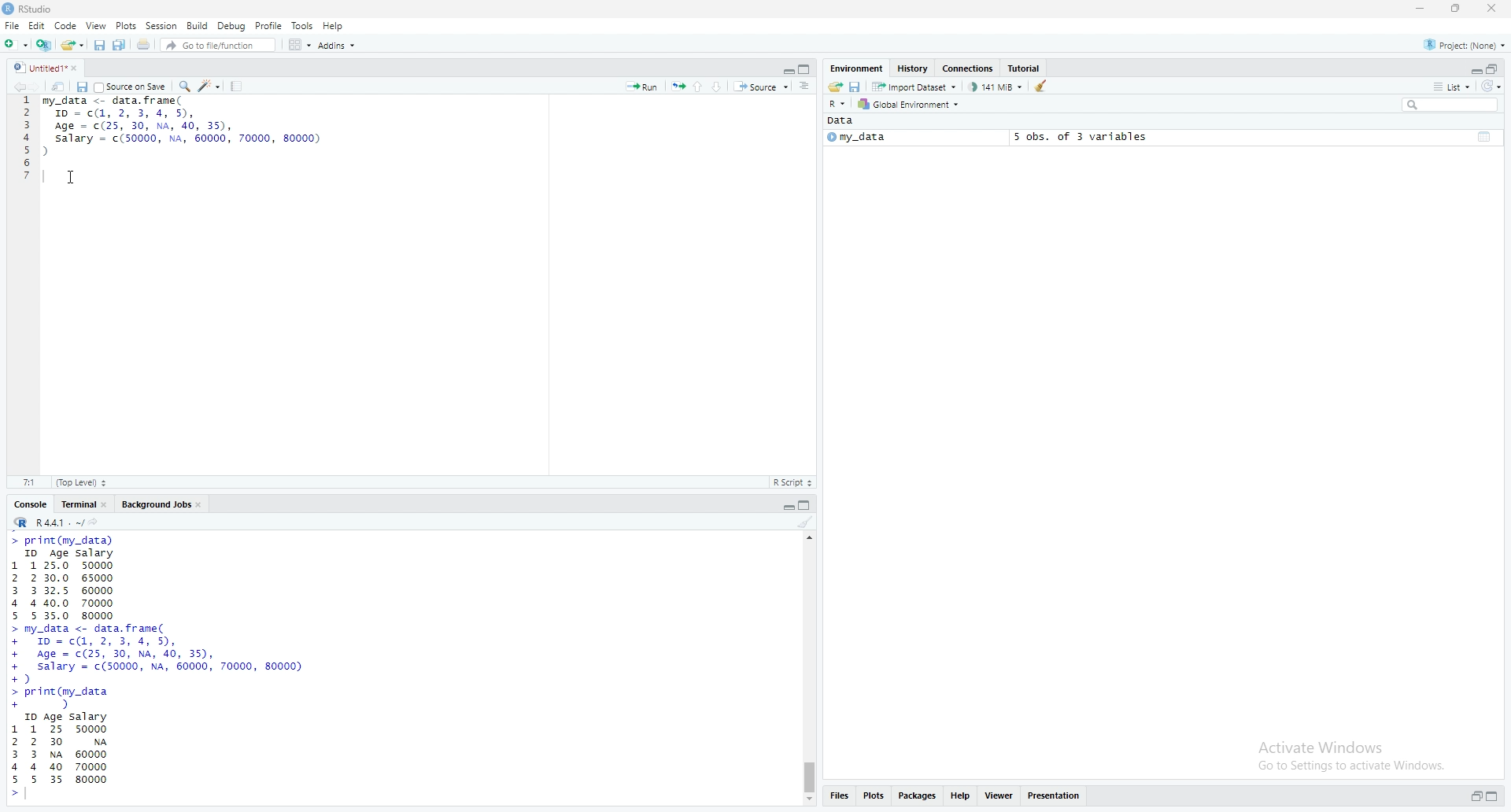 This screenshot has height=812, width=1511. Describe the element at coordinates (270, 25) in the screenshot. I see `Profile` at that location.